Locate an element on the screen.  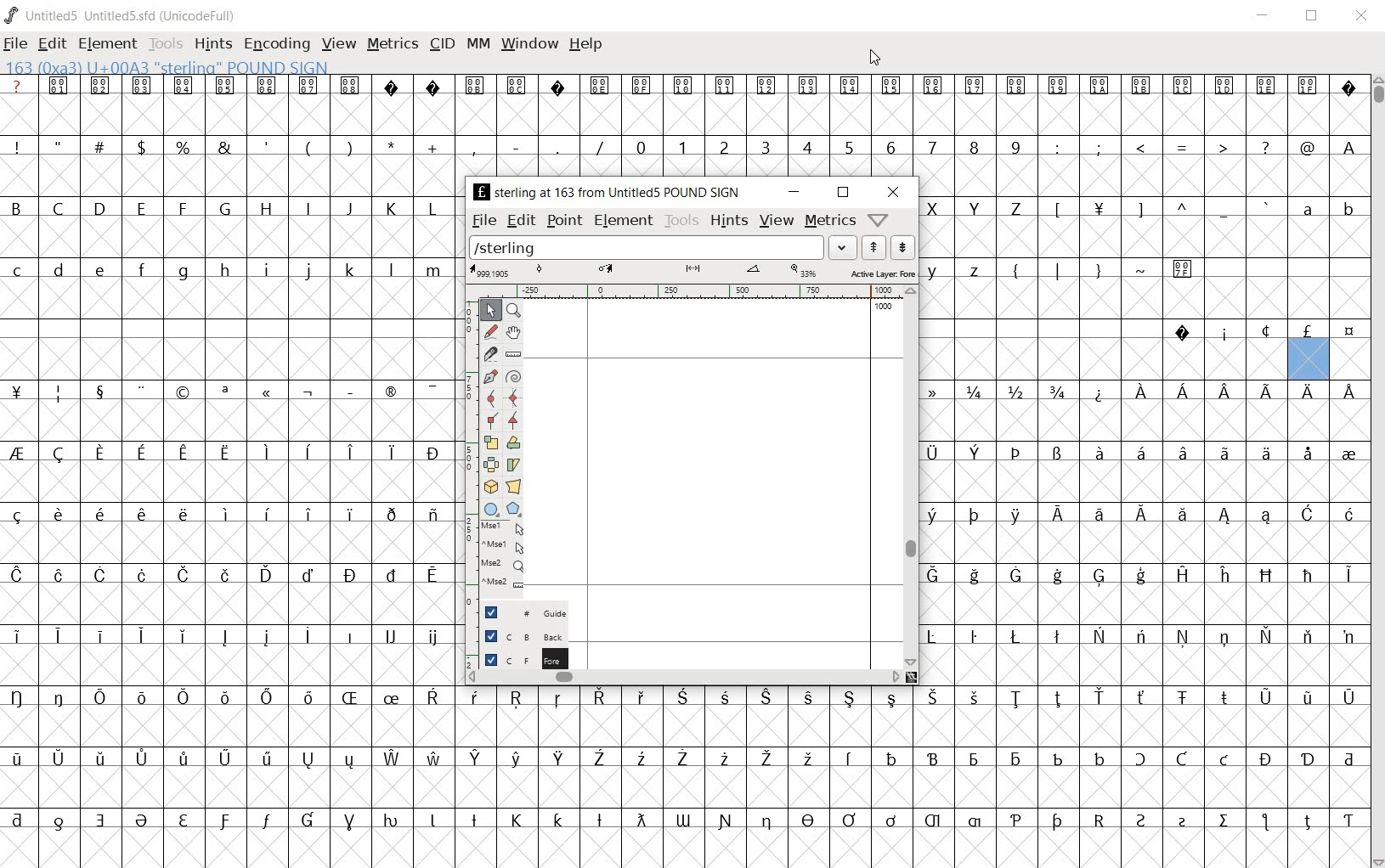
Symbol is located at coordinates (809, 759).